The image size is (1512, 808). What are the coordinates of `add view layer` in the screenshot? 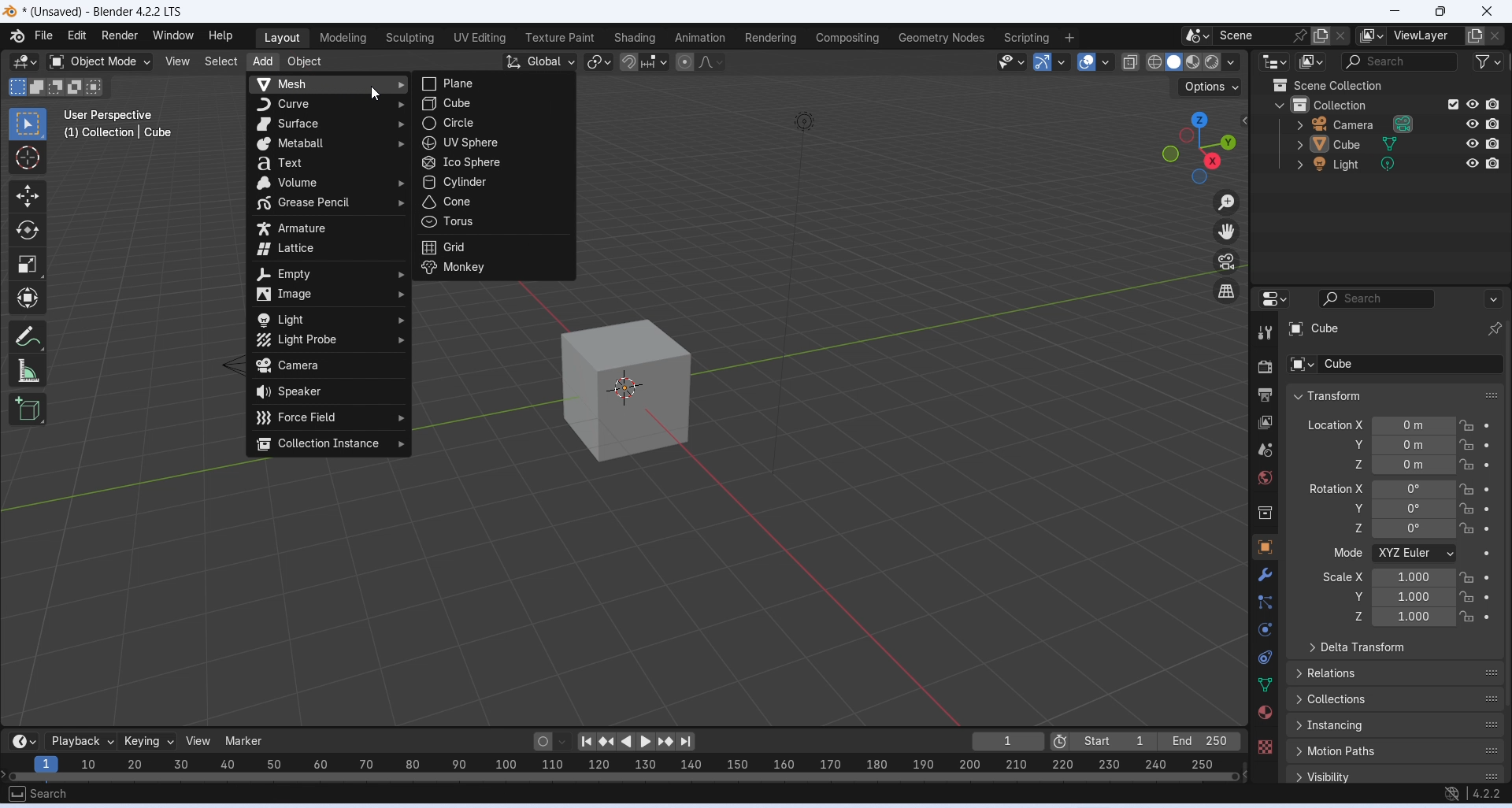 It's located at (1475, 35).